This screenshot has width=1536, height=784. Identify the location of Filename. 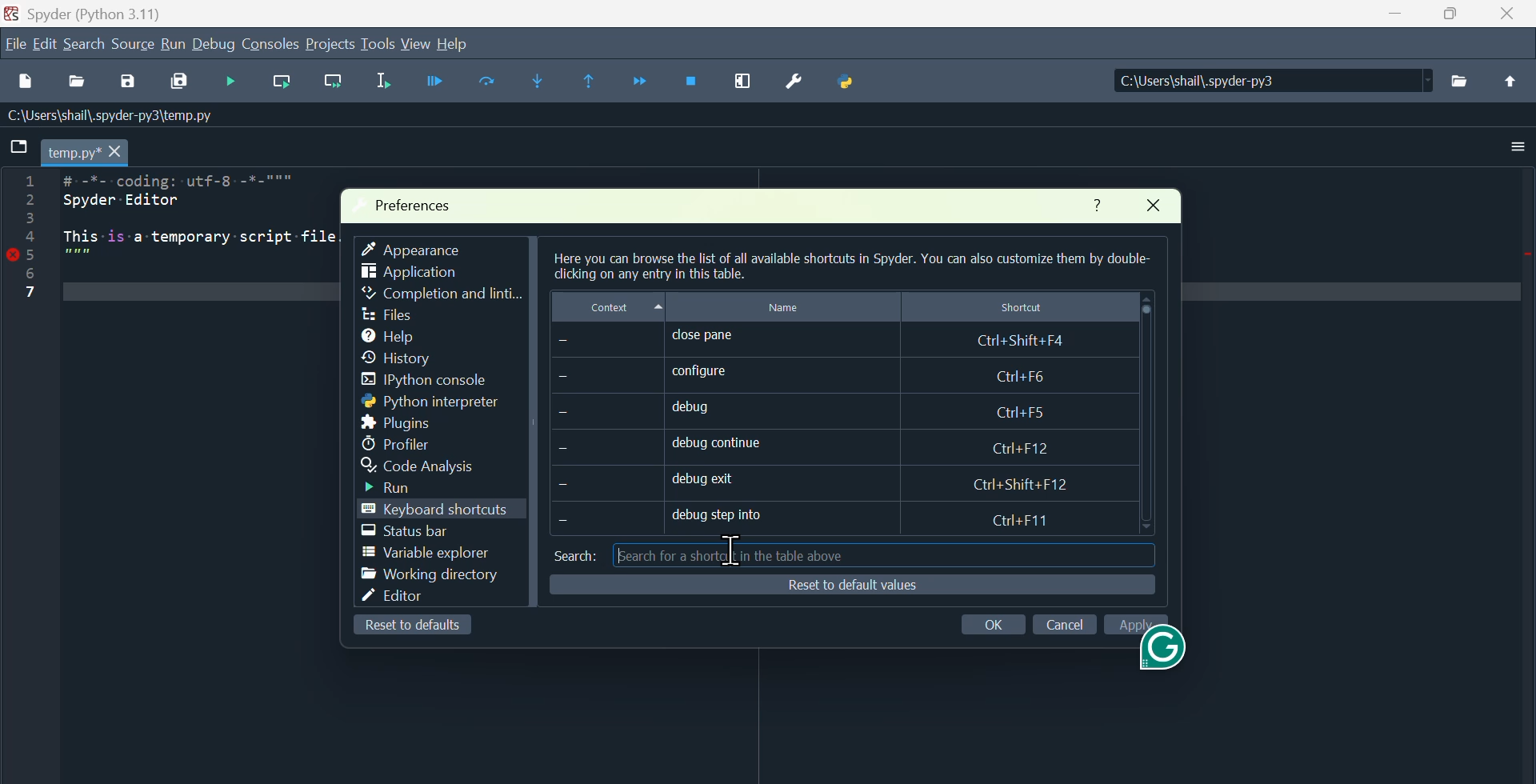
(73, 154).